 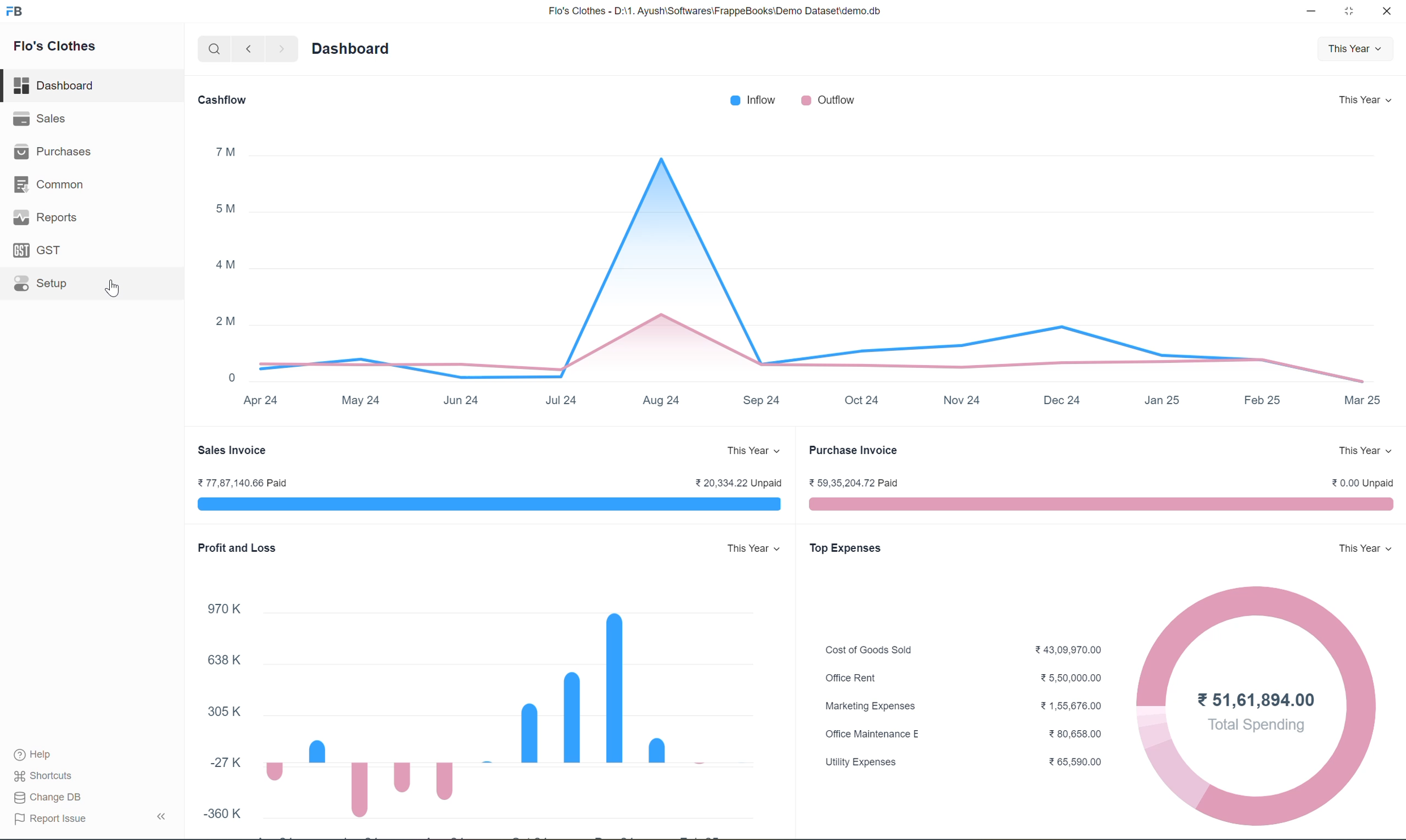 I want to click on 5M, so click(x=225, y=208).